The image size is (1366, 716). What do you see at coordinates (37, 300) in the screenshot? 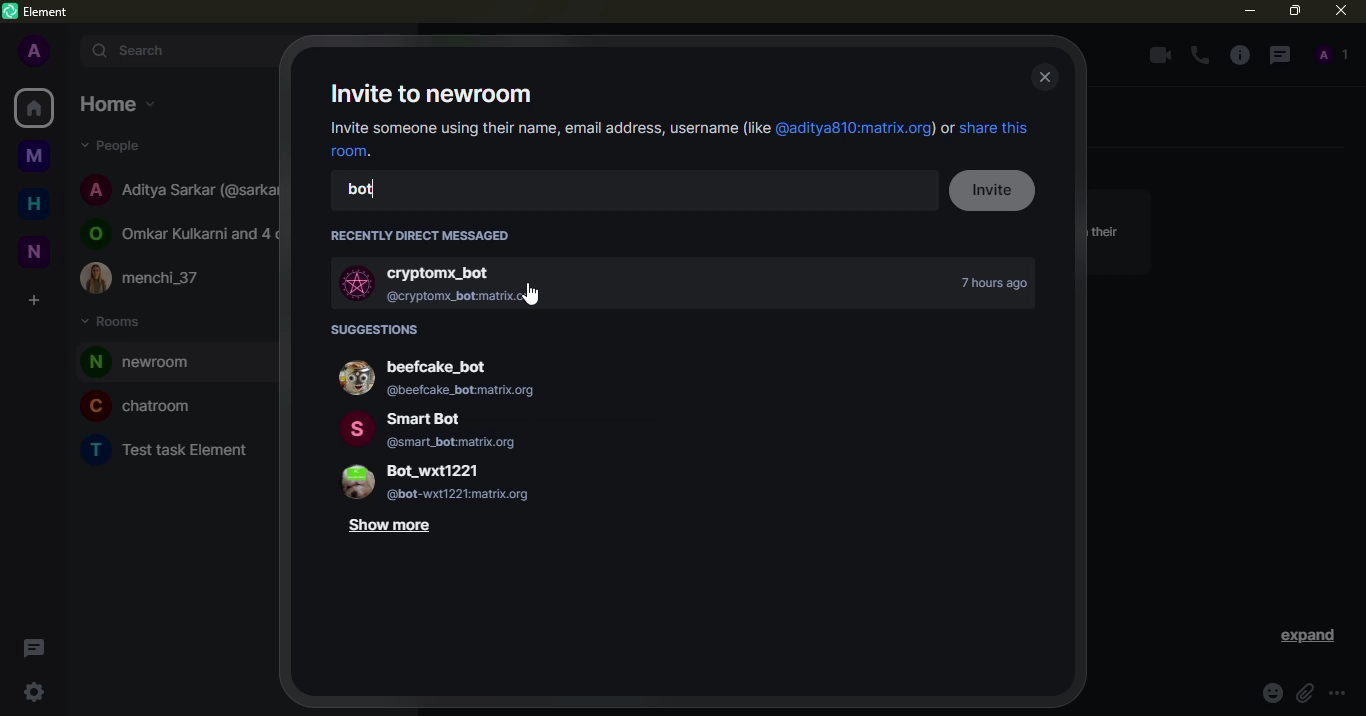
I see `create space` at bounding box center [37, 300].